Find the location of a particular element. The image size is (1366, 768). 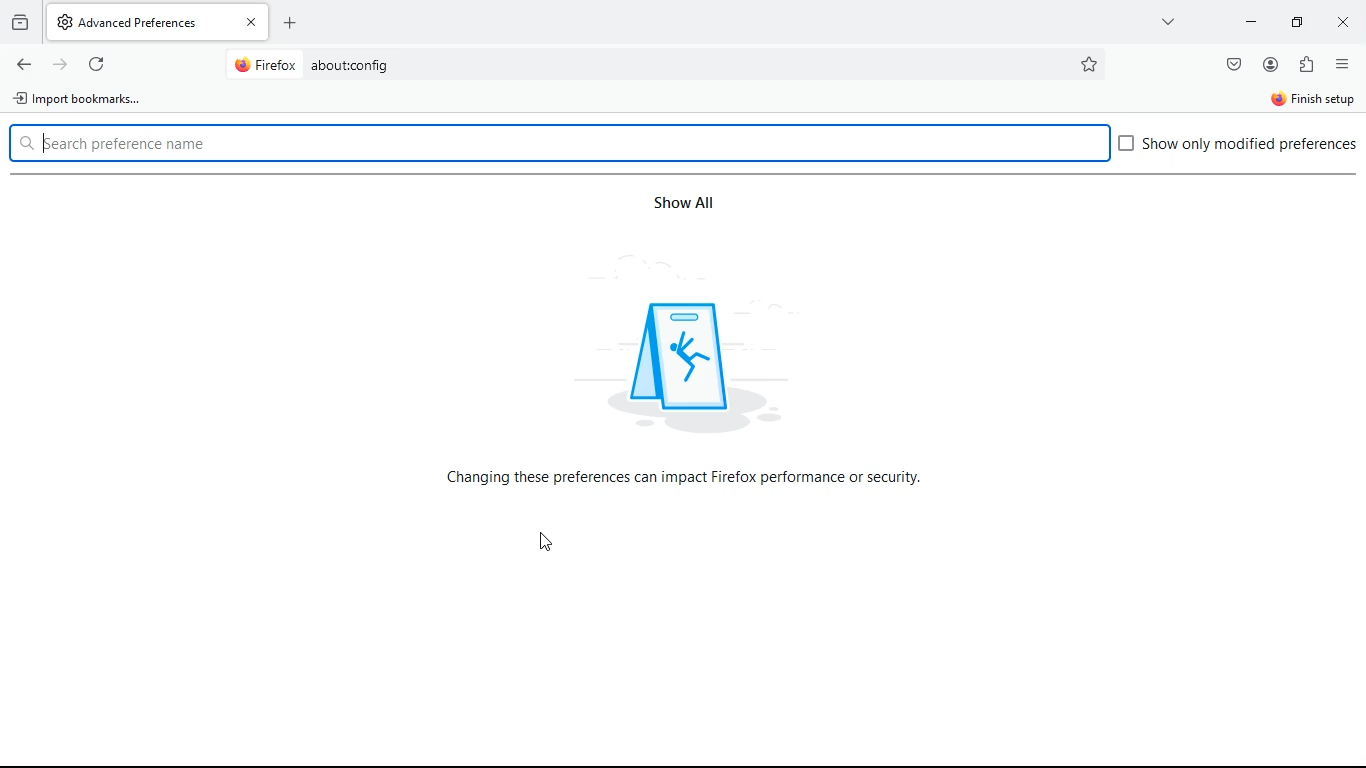

history is located at coordinates (21, 23).